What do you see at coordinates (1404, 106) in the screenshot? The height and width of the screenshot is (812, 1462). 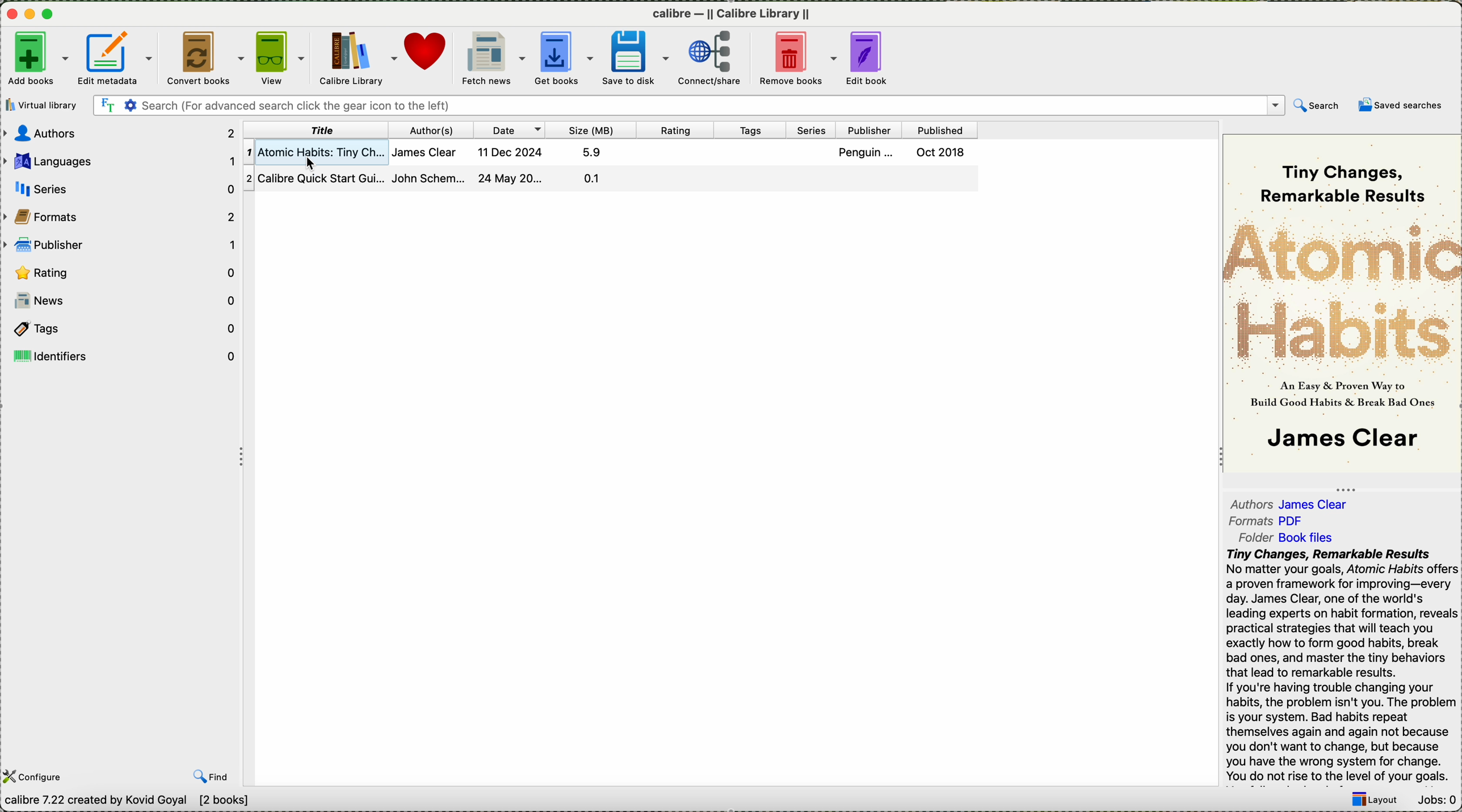 I see `saved searches` at bounding box center [1404, 106].